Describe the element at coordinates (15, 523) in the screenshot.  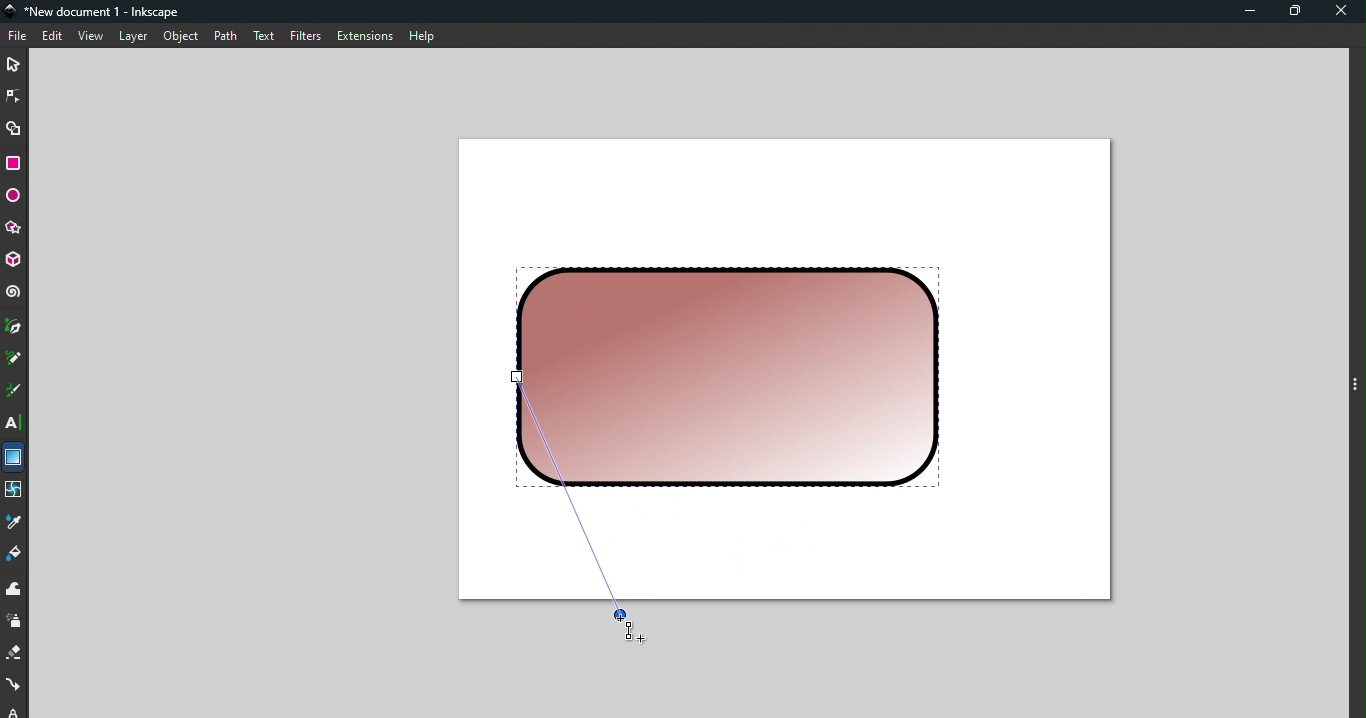
I see `Dropper tool` at that location.